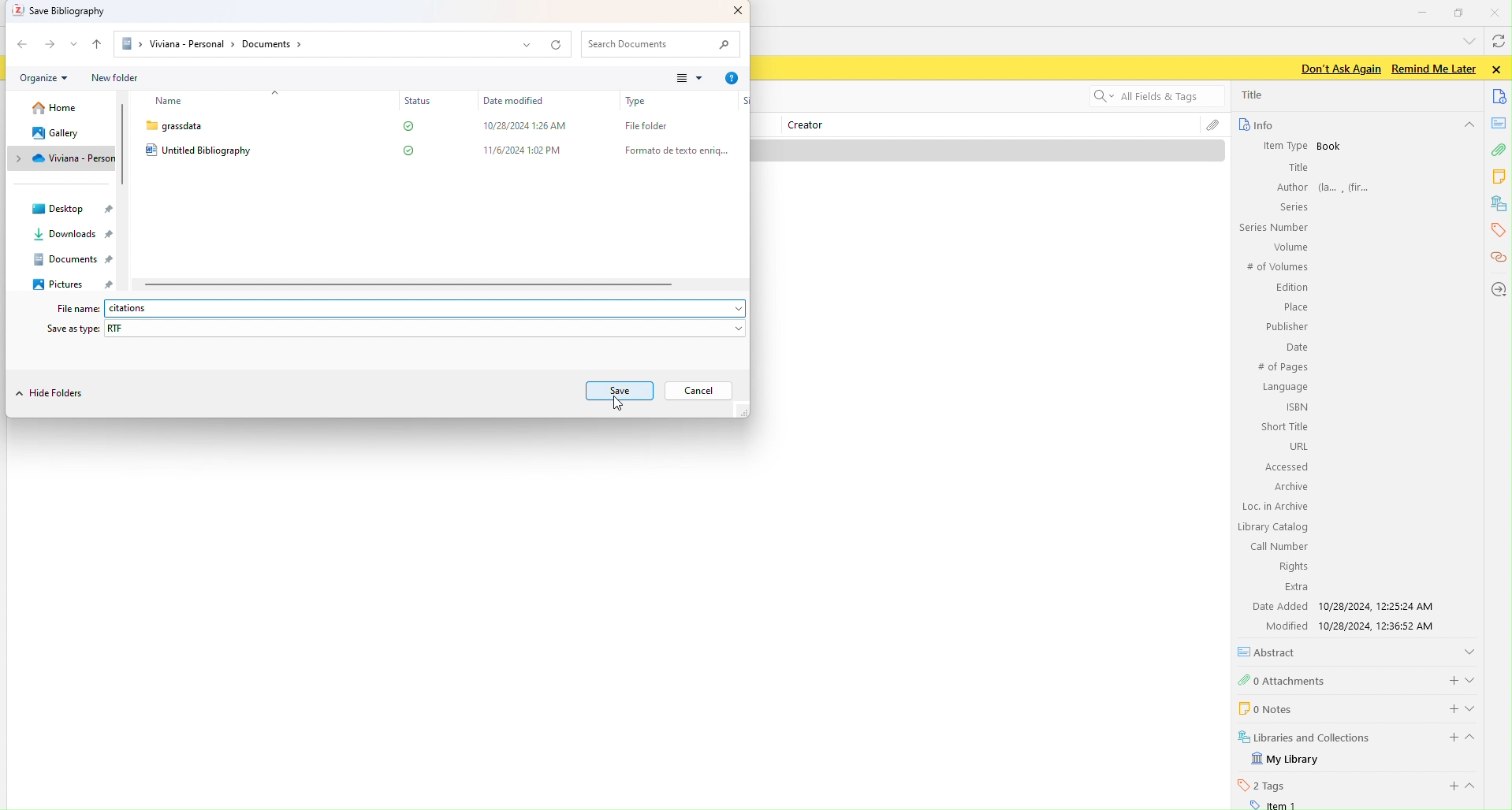 This screenshot has width=1512, height=810. I want to click on add, so click(1449, 678).